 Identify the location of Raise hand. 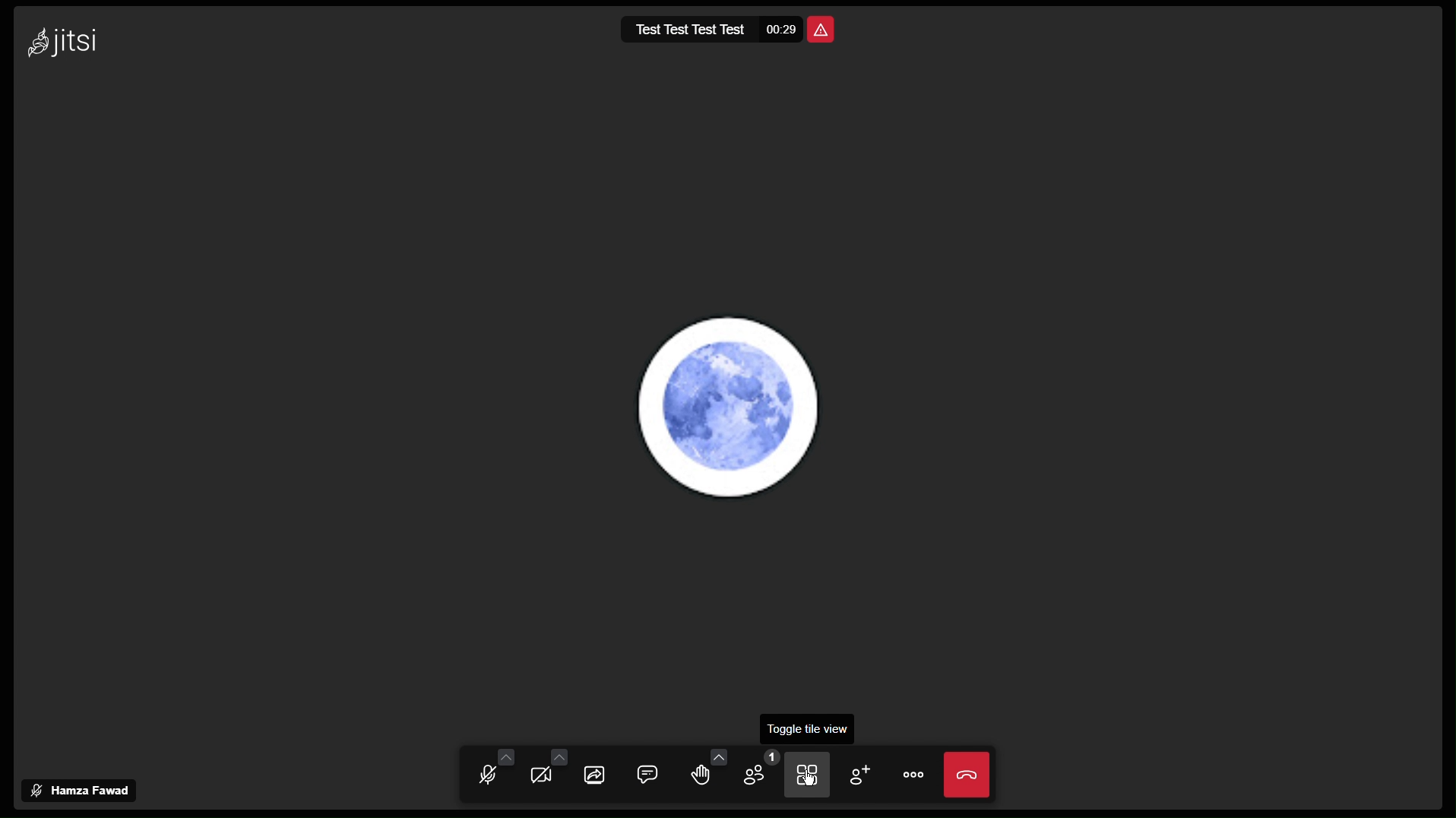
(704, 776).